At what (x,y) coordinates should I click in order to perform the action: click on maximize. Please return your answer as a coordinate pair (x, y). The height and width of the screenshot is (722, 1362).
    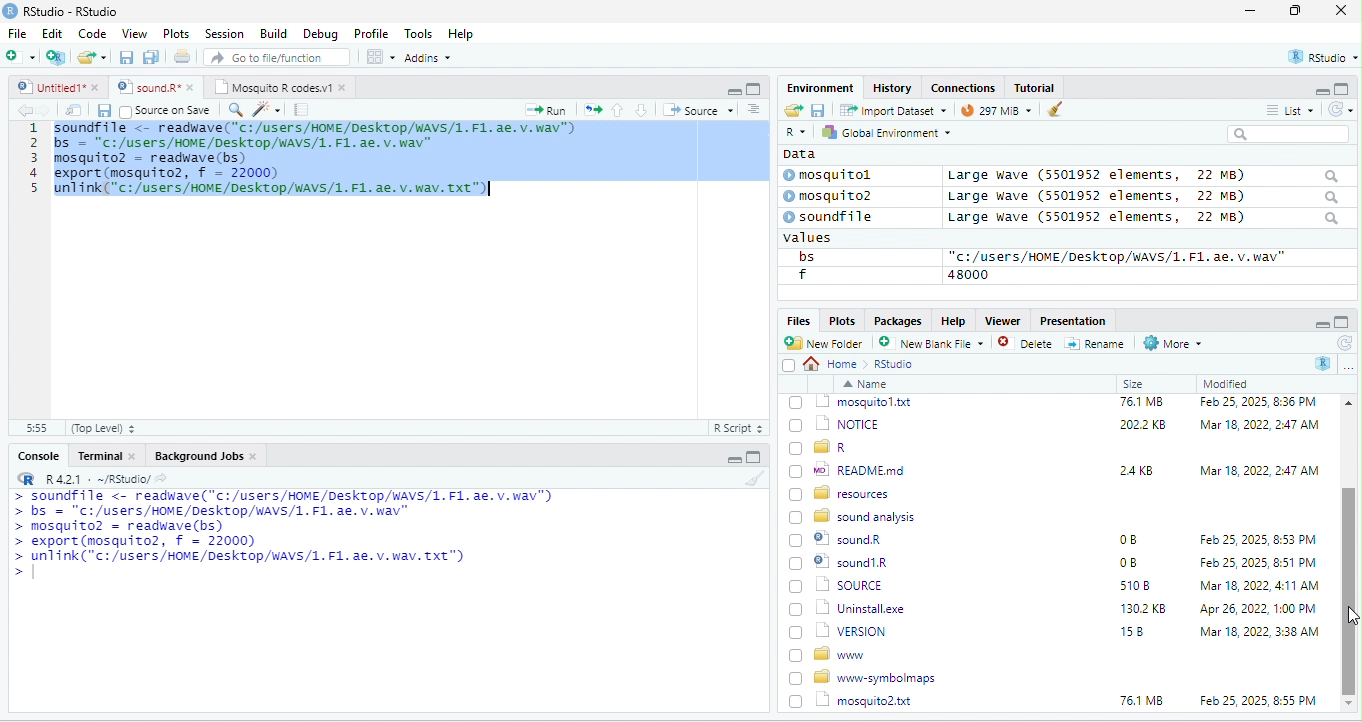
    Looking at the image, I should click on (753, 457).